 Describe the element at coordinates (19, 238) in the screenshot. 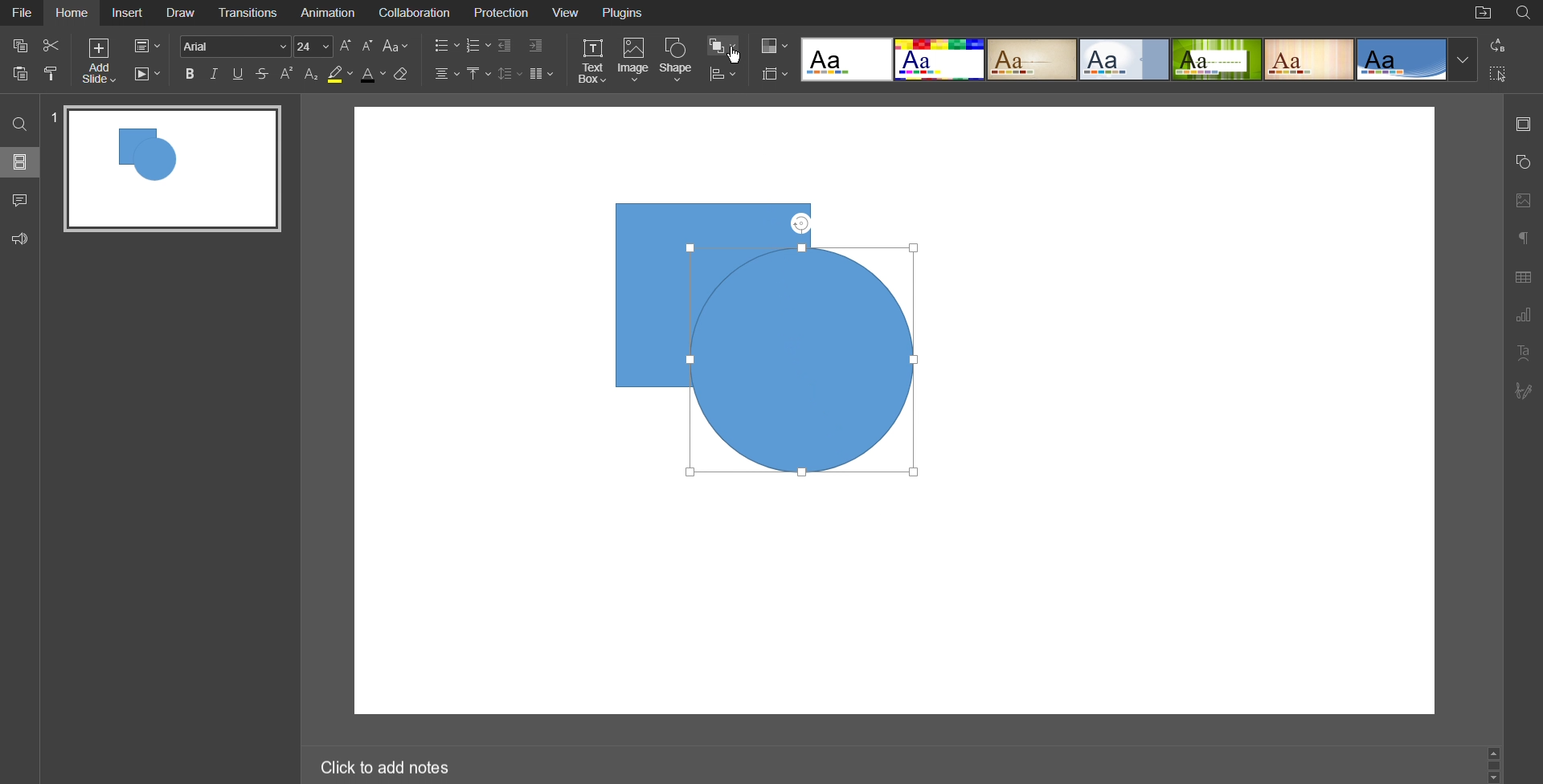

I see `Feedback and Support` at that location.